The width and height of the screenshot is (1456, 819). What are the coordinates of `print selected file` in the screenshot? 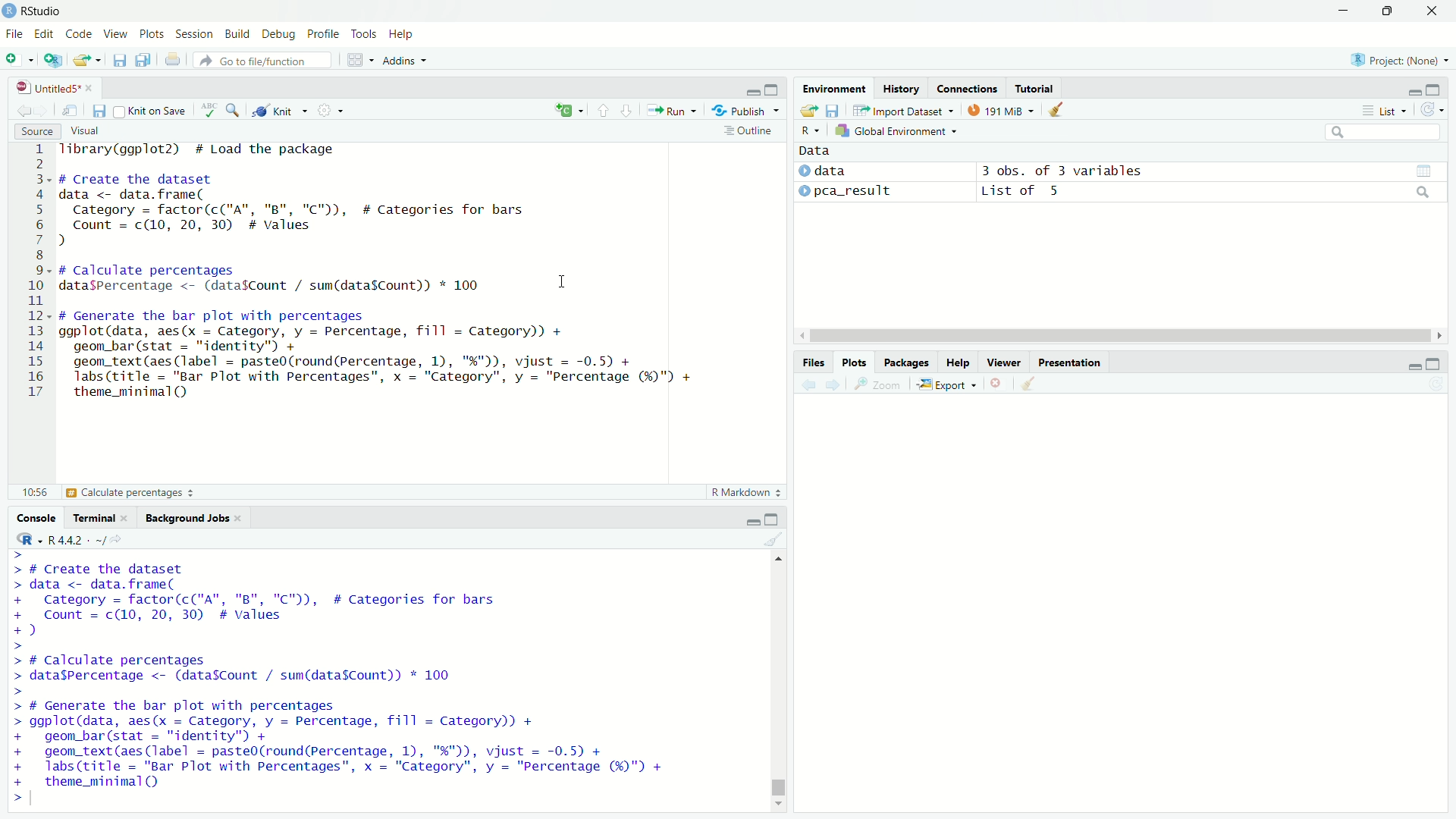 It's located at (173, 59).